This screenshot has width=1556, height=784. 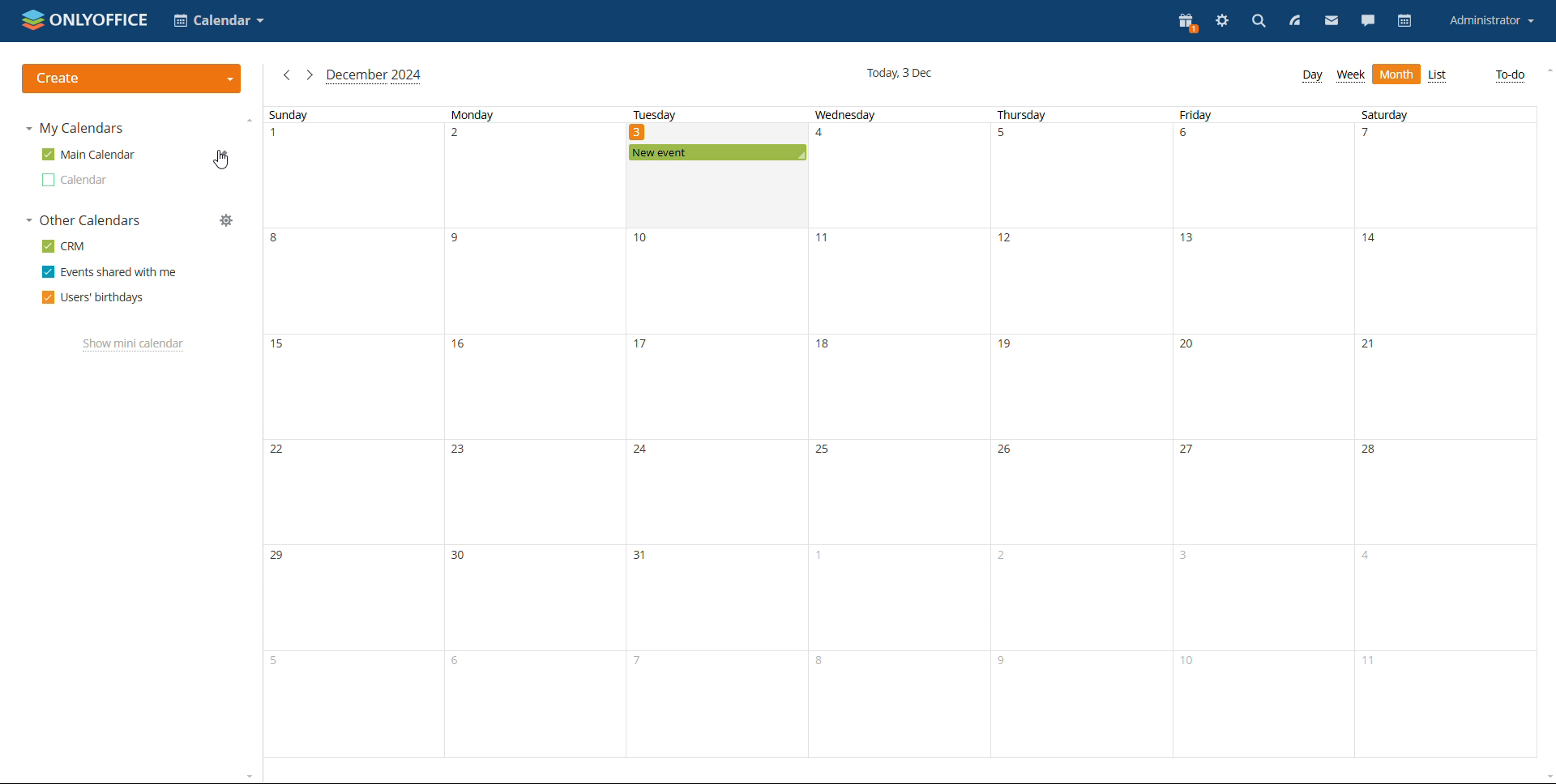 I want to click on date, so click(x=899, y=387).